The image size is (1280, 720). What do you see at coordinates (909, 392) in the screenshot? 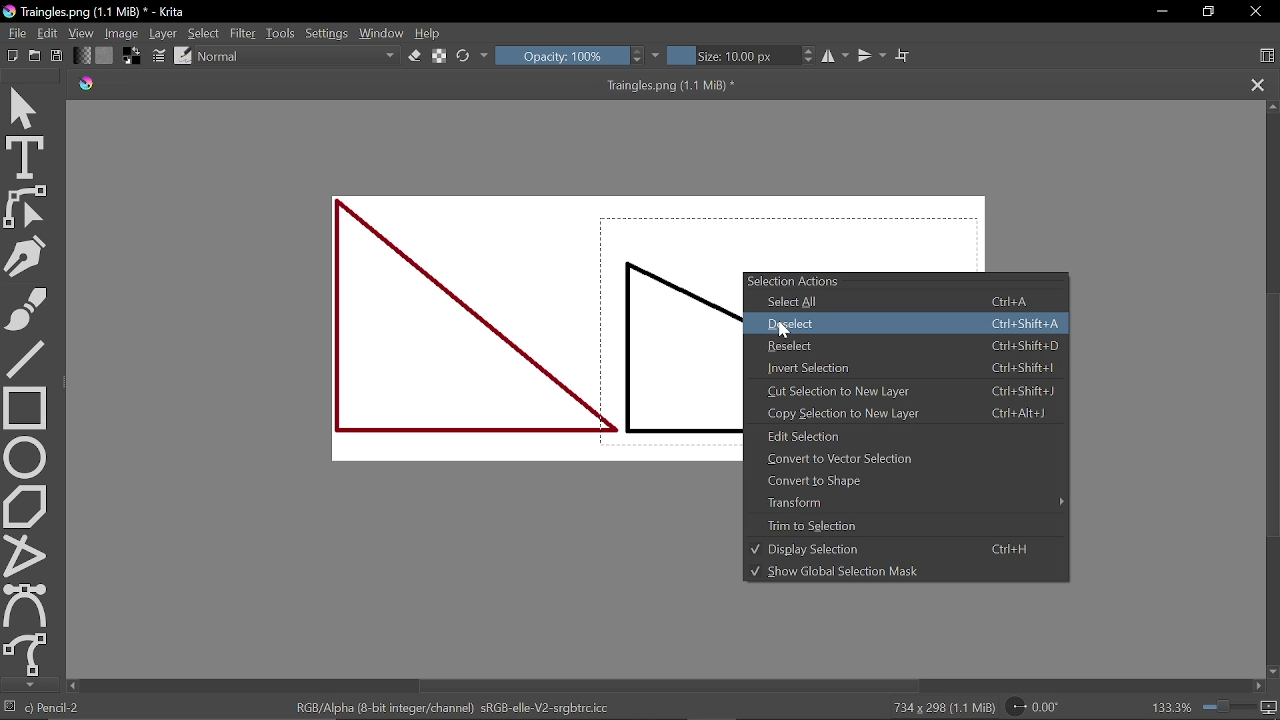
I see `Cut selection to new layer` at bounding box center [909, 392].